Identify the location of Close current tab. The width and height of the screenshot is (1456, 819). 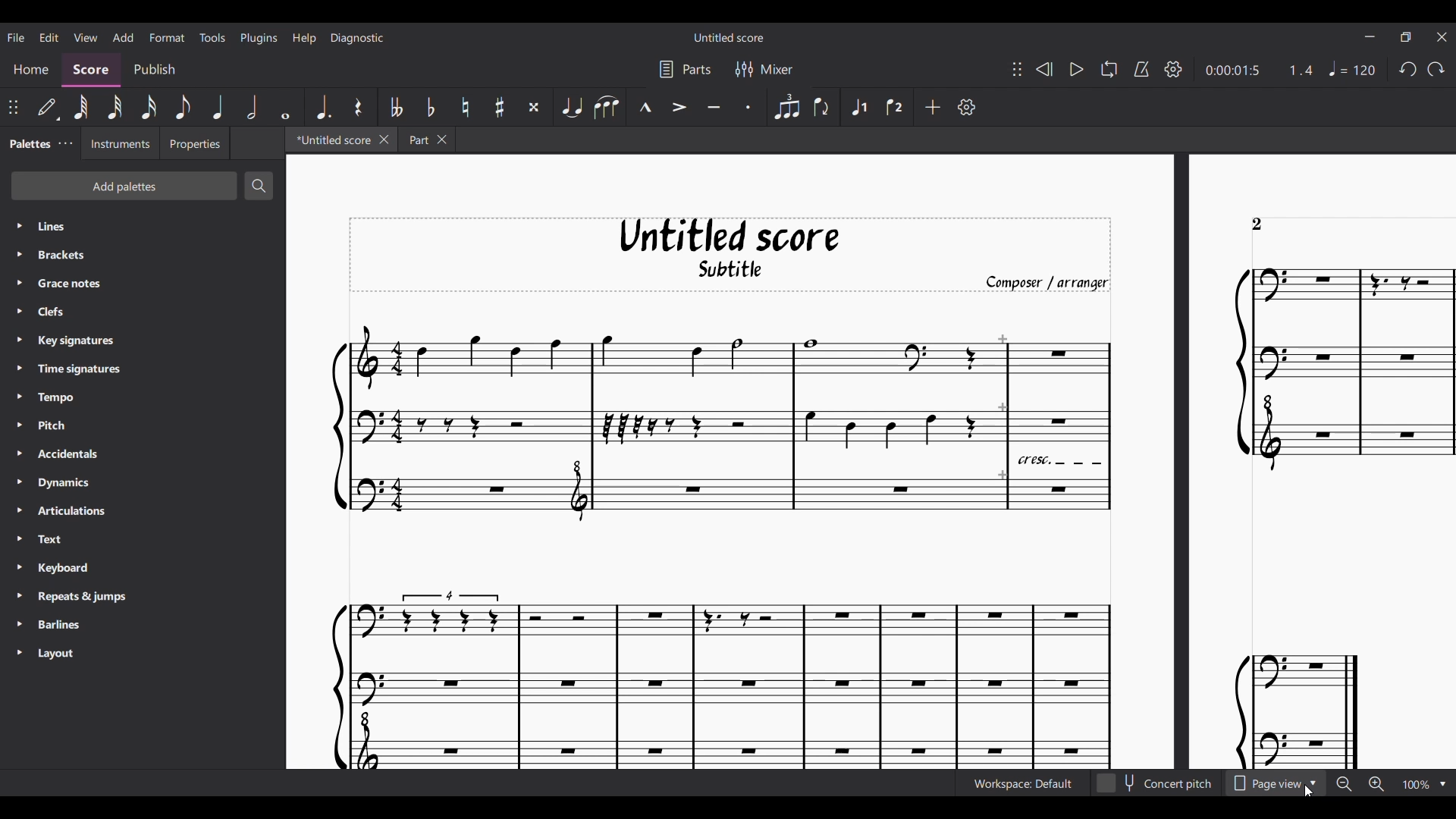
(385, 140).